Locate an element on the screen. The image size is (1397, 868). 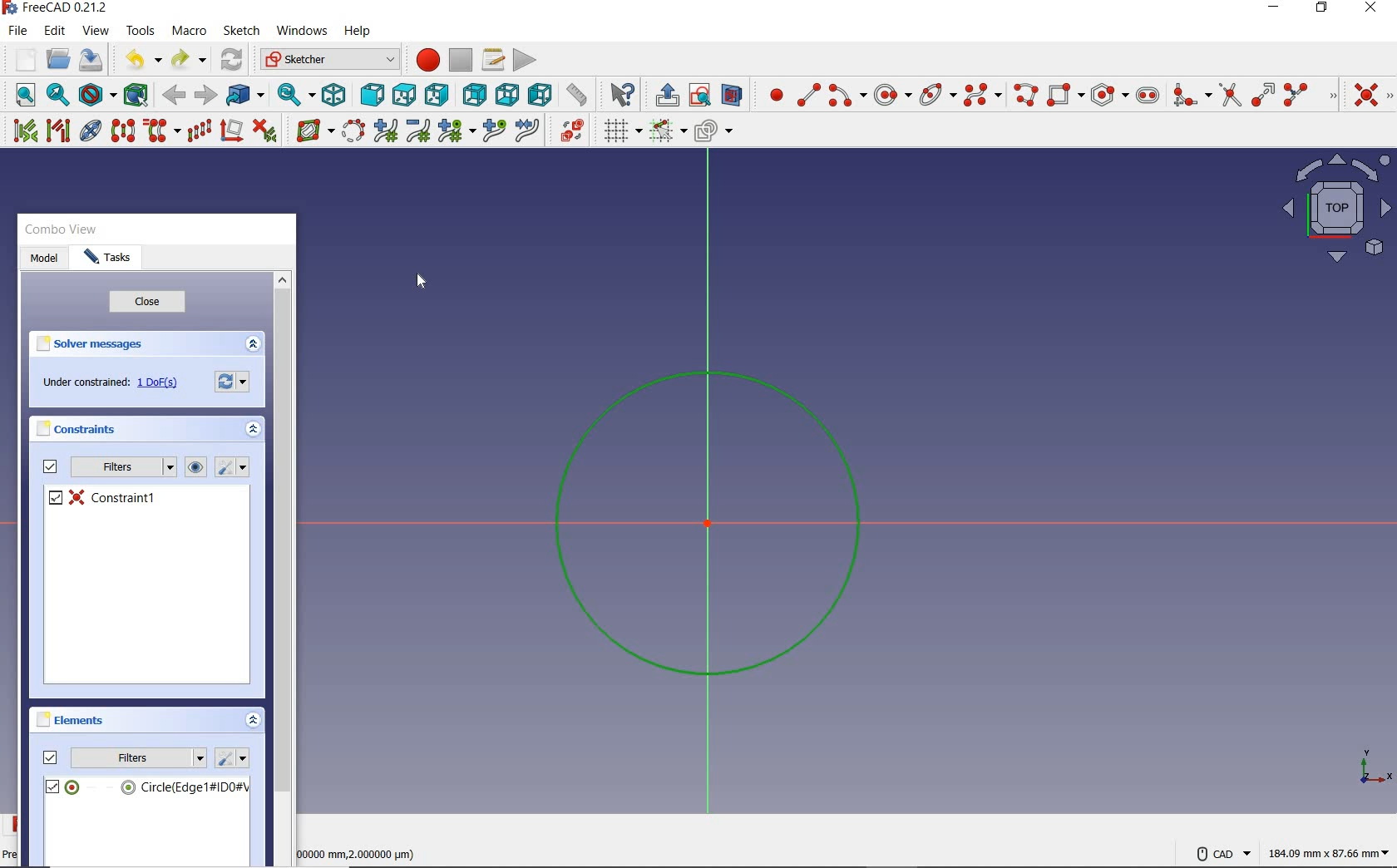
backward is located at coordinates (175, 96).